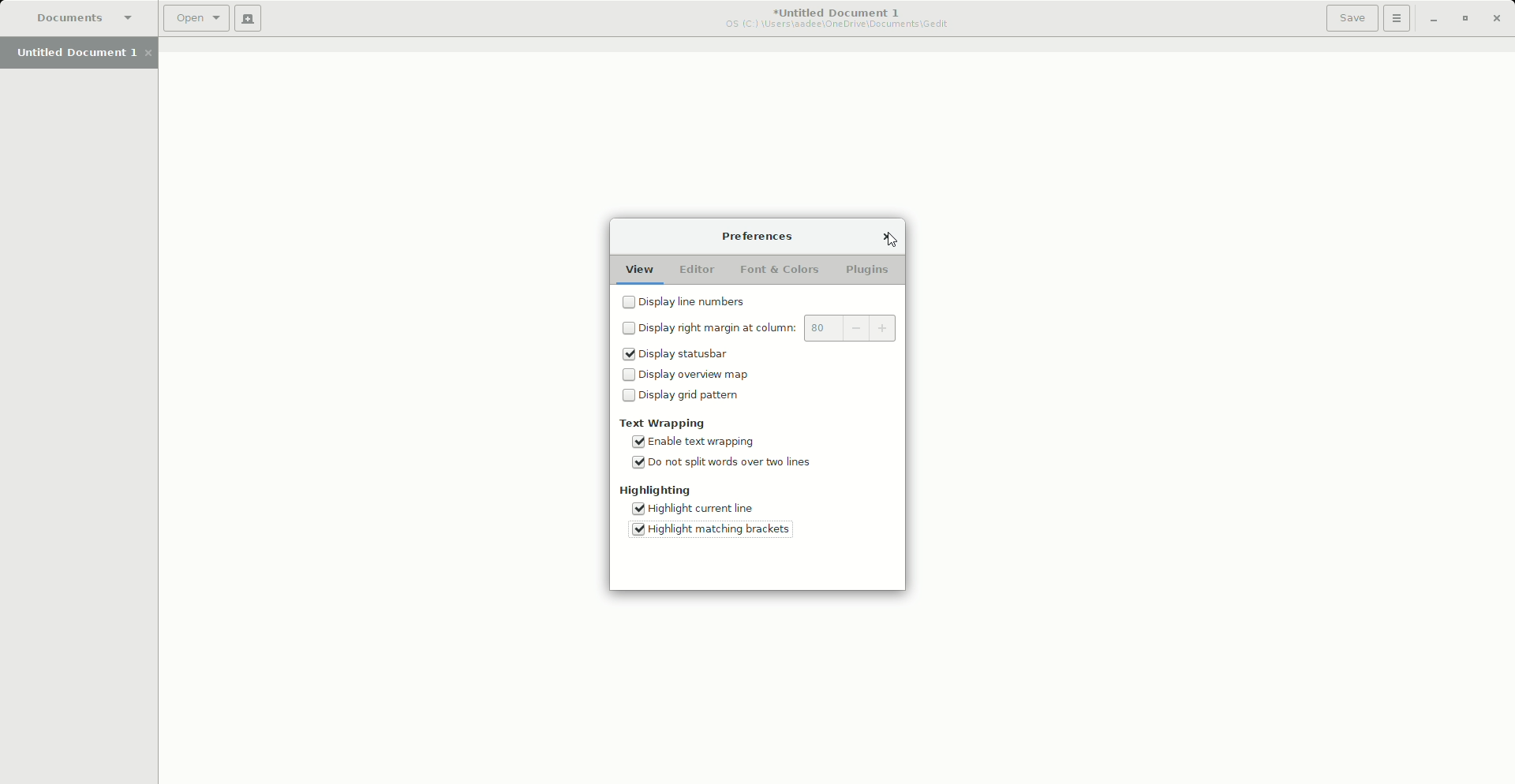  What do you see at coordinates (781, 271) in the screenshot?
I see `Fond and Colors` at bounding box center [781, 271].